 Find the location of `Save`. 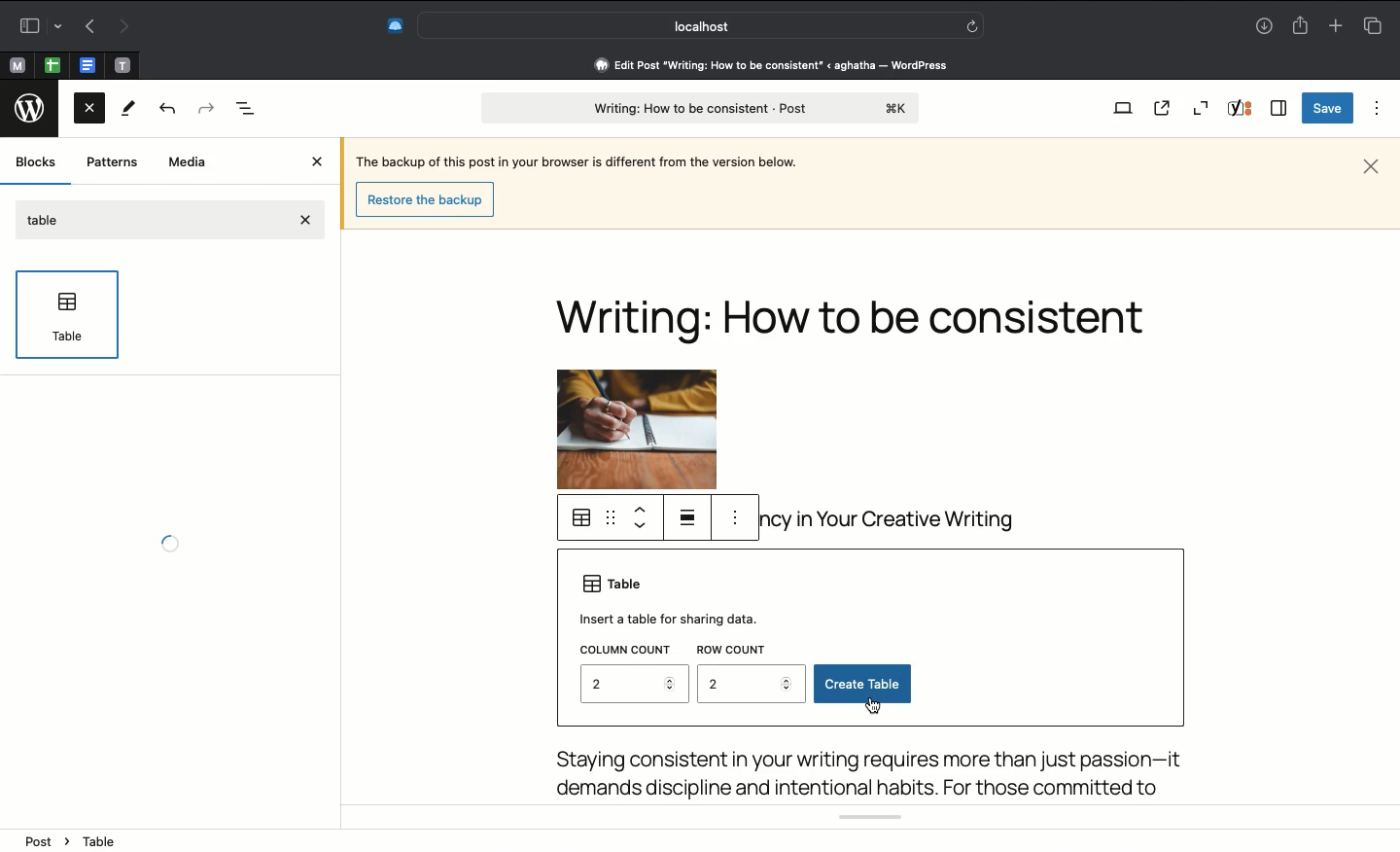

Save is located at coordinates (1327, 108).